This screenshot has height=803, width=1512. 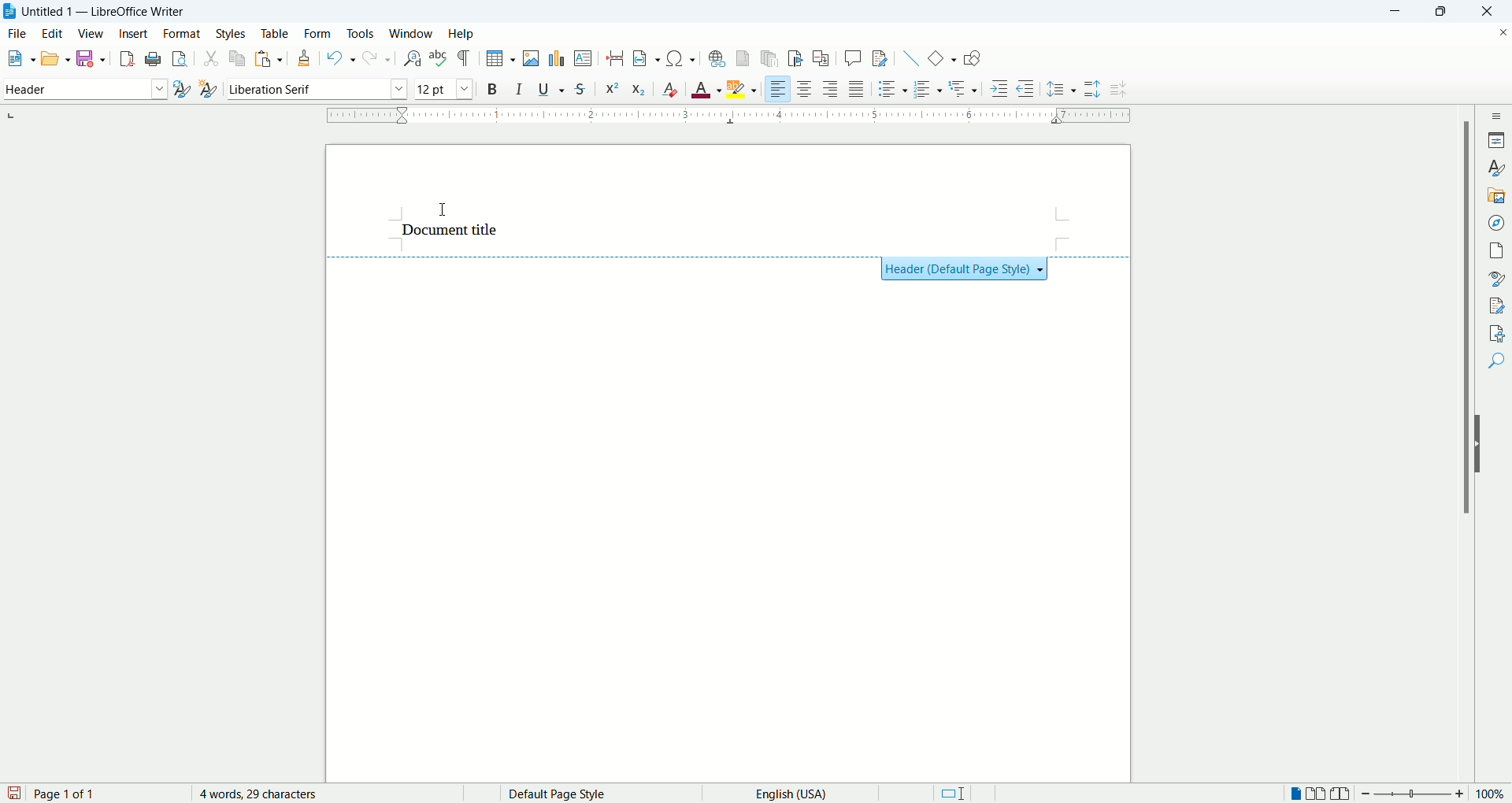 What do you see at coordinates (1061, 88) in the screenshot?
I see `set line spacing` at bounding box center [1061, 88].